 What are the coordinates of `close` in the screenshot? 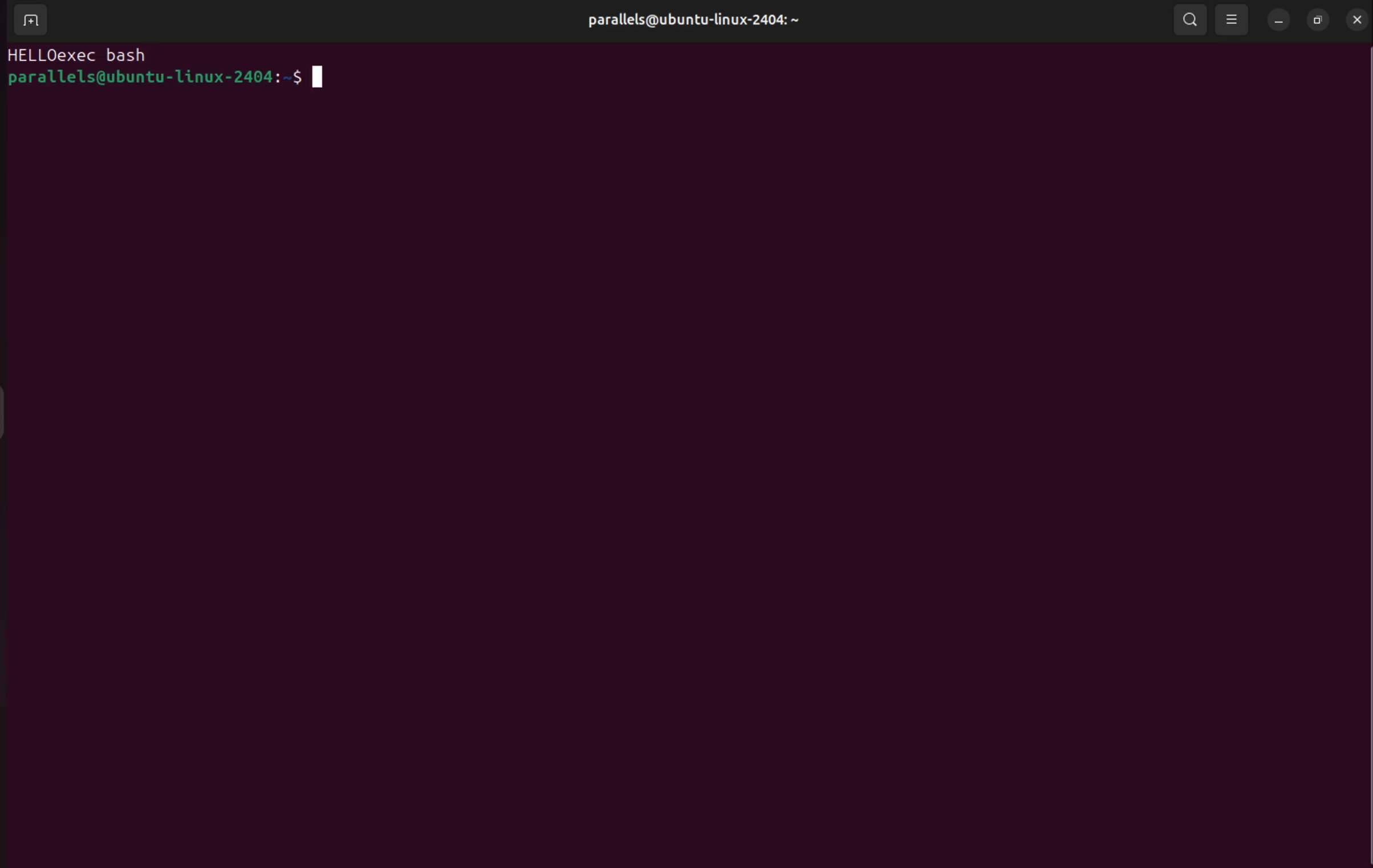 It's located at (1356, 18).